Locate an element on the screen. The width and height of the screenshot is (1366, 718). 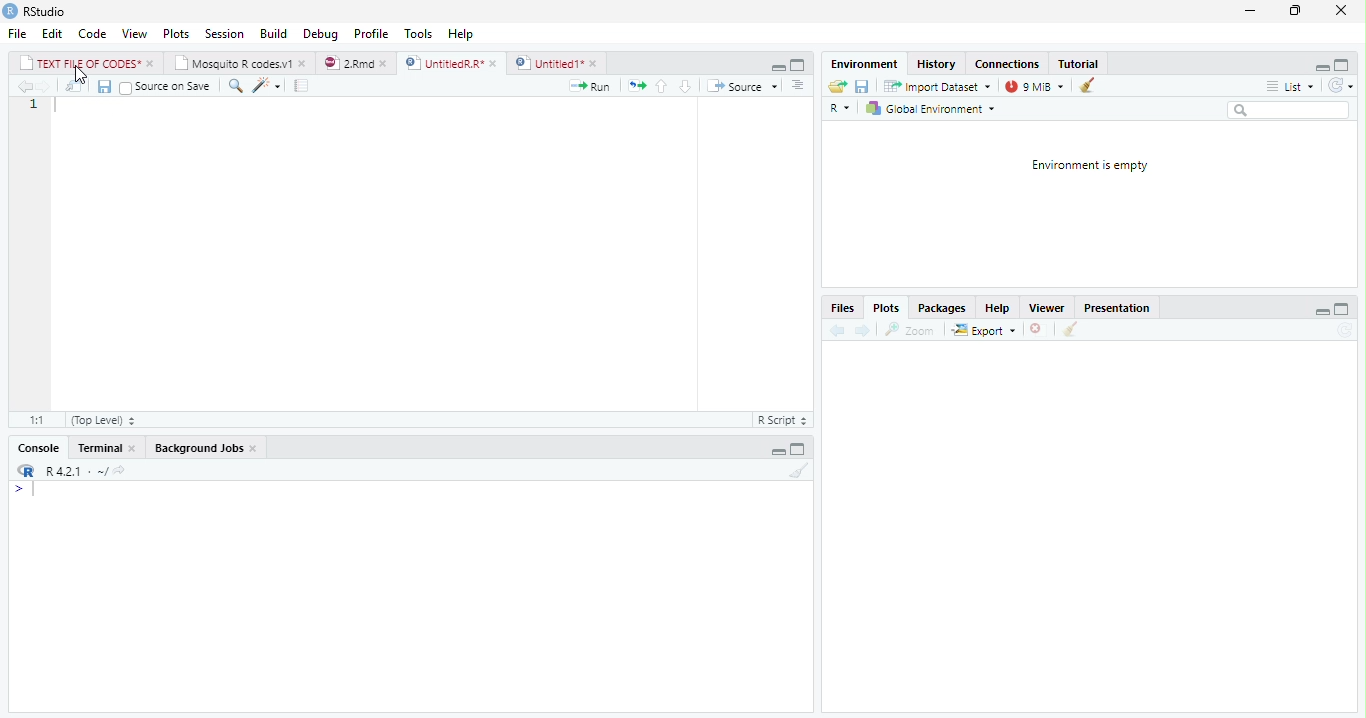
9 mb is located at coordinates (1036, 87).